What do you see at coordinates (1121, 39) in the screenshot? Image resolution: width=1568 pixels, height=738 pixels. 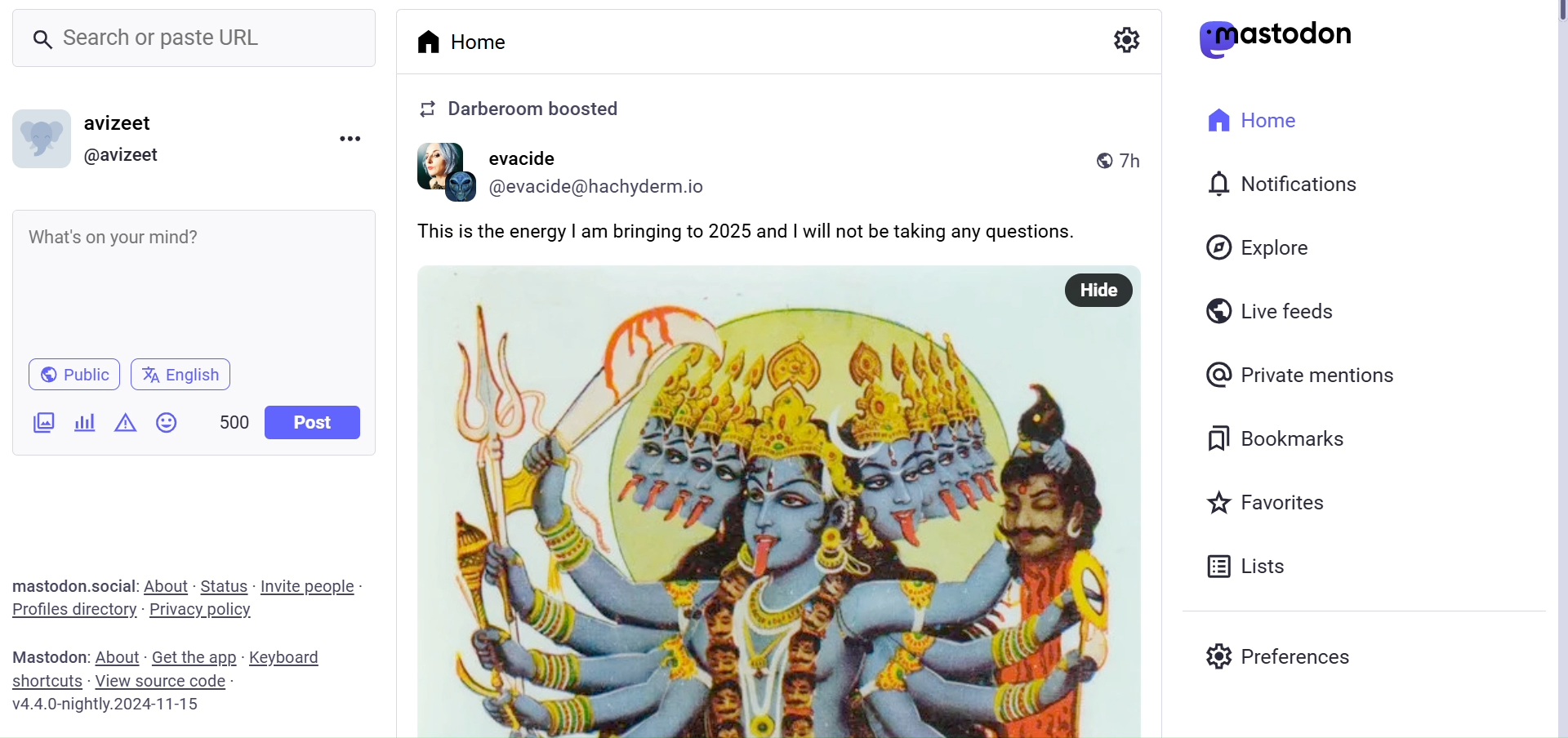 I see `Setting` at bounding box center [1121, 39].